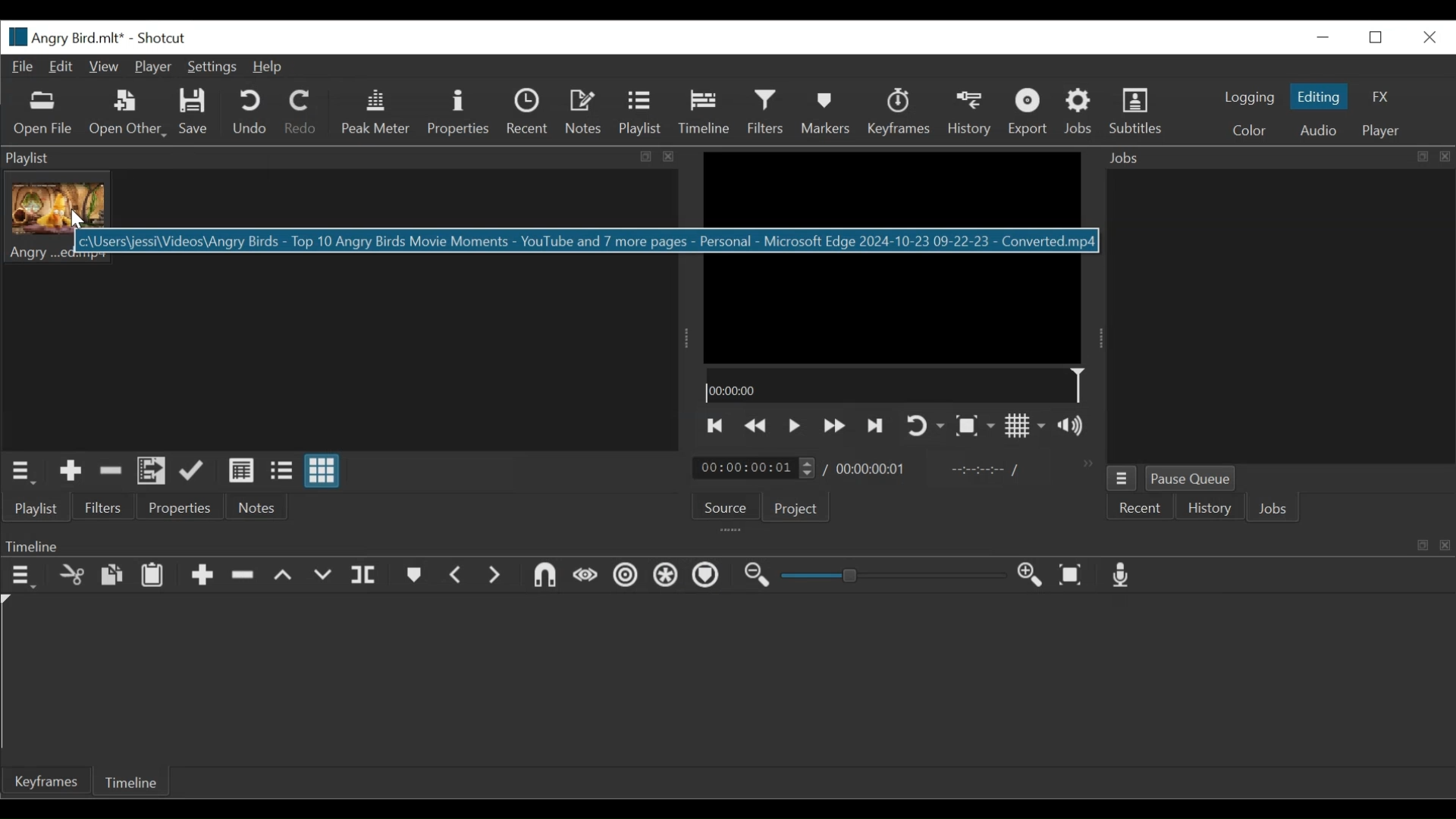  Describe the element at coordinates (64, 37) in the screenshot. I see `File Name` at that location.